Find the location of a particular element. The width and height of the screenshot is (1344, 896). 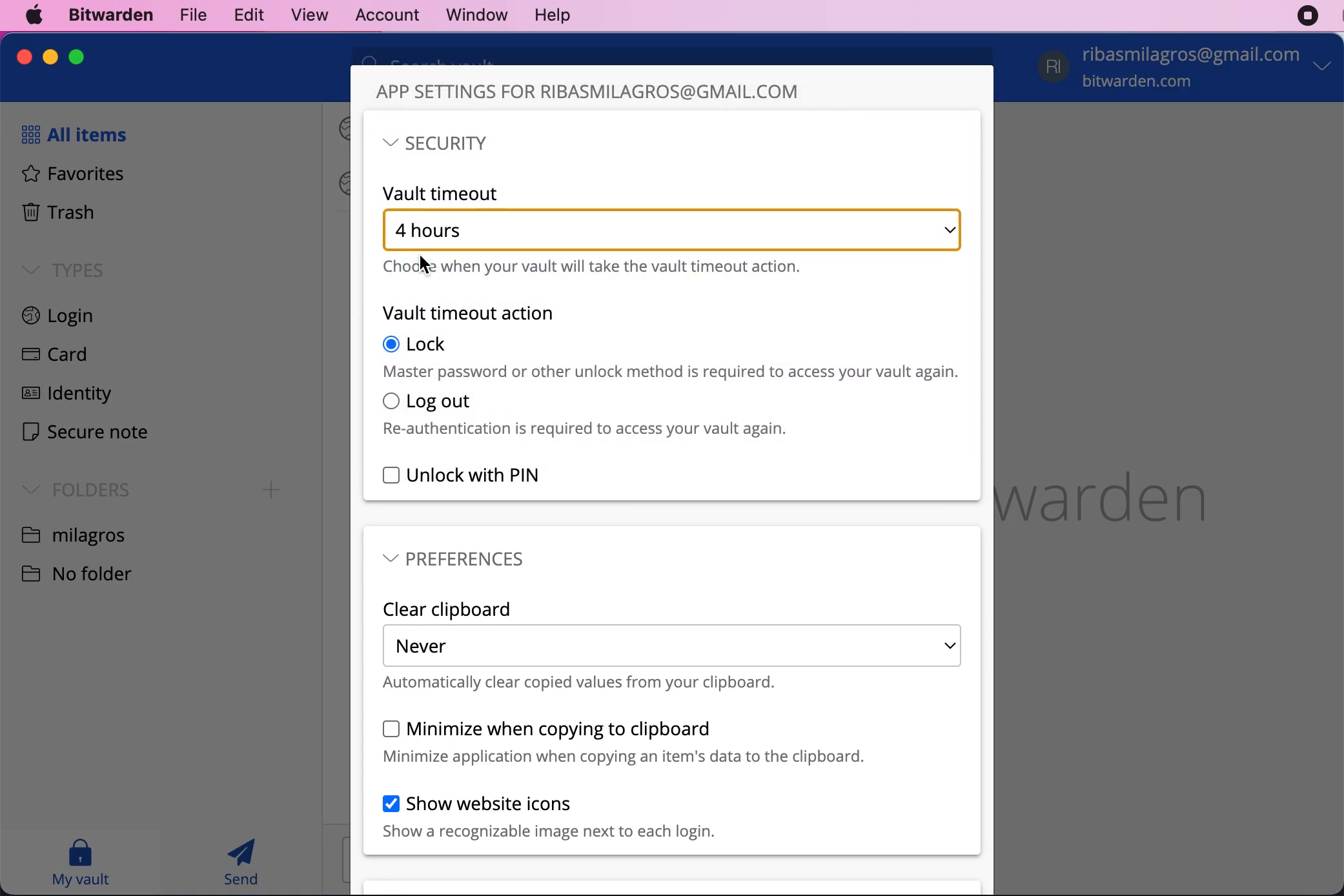

types is located at coordinates (63, 269).